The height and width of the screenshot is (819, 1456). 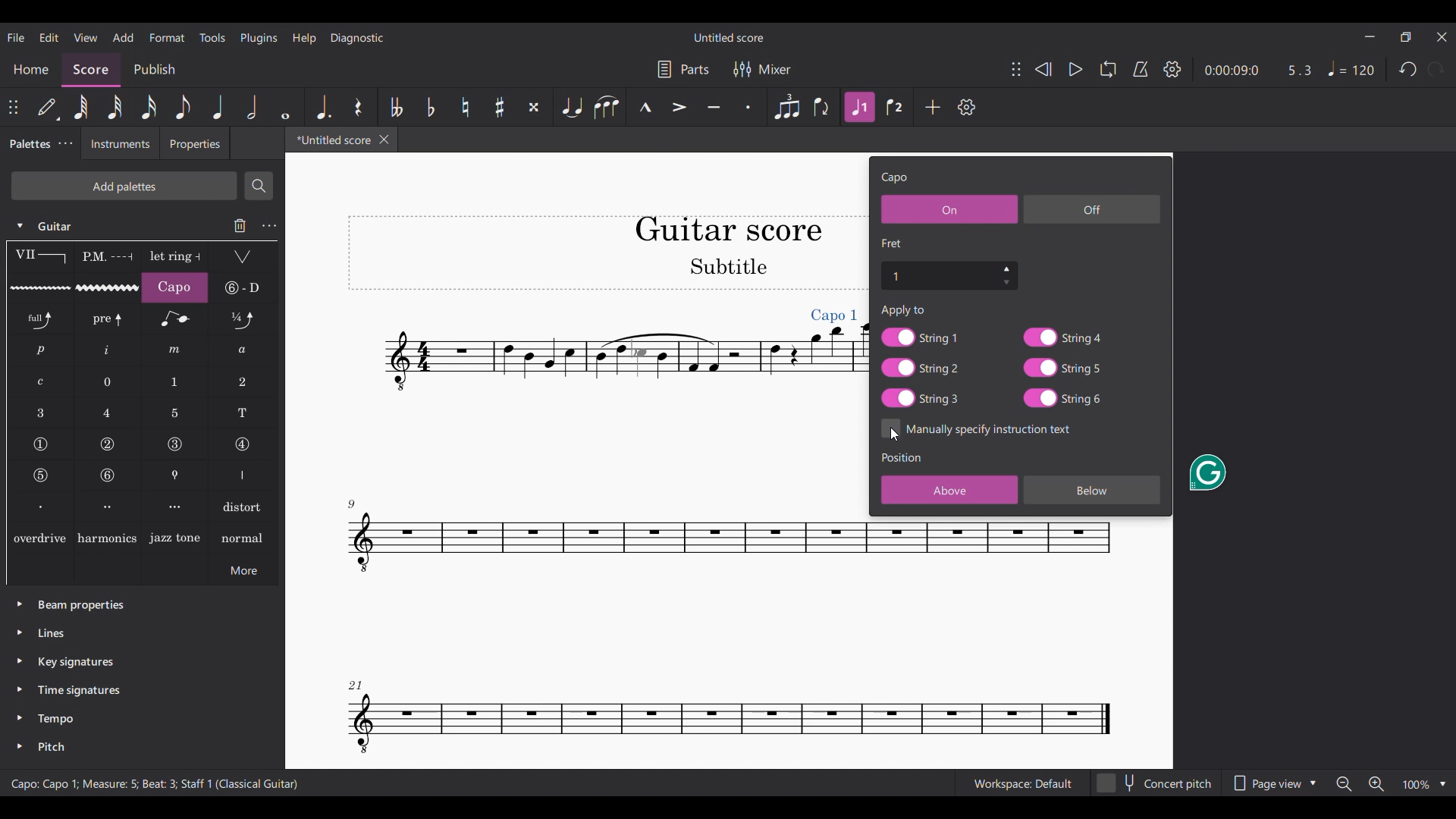 What do you see at coordinates (1092, 490) in the screenshot?
I see `Below` at bounding box center [1092, 490].